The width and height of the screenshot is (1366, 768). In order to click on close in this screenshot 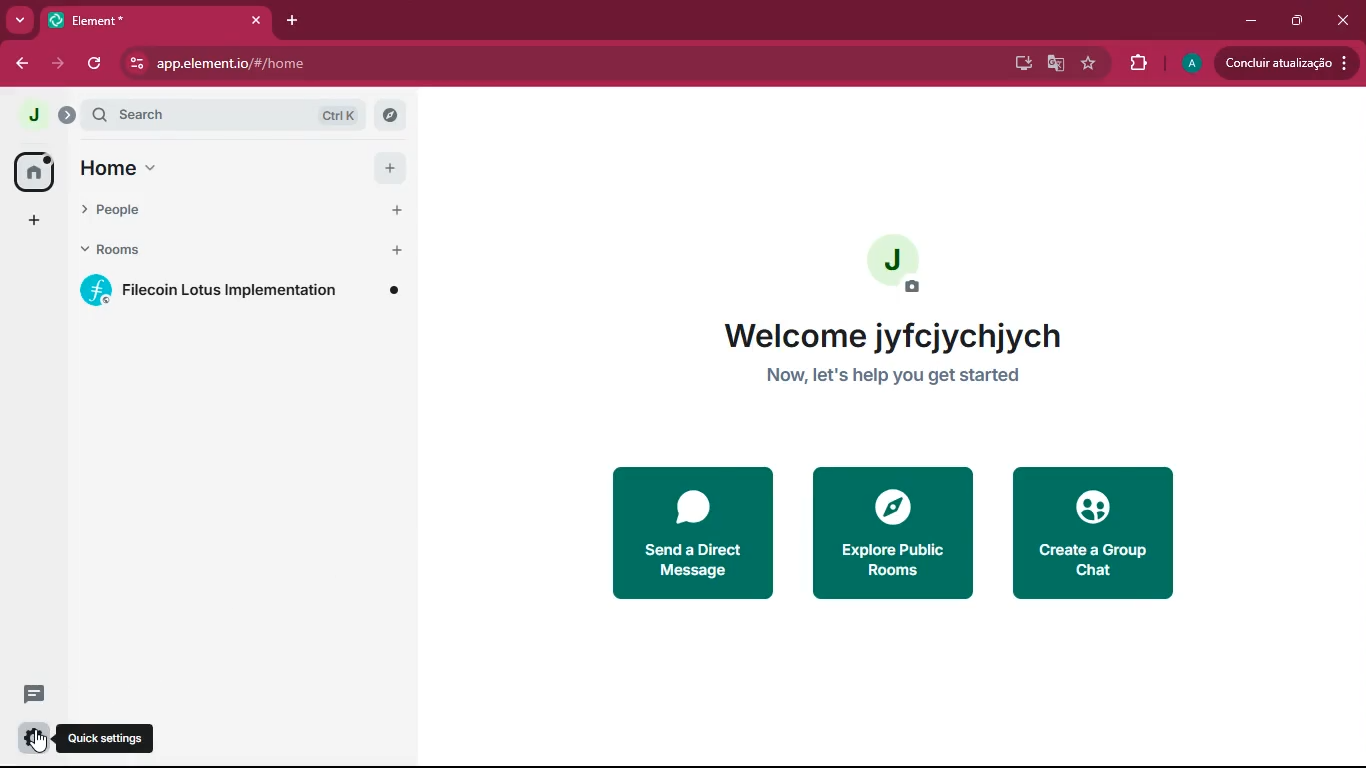, I will do `click(258, 20)`.